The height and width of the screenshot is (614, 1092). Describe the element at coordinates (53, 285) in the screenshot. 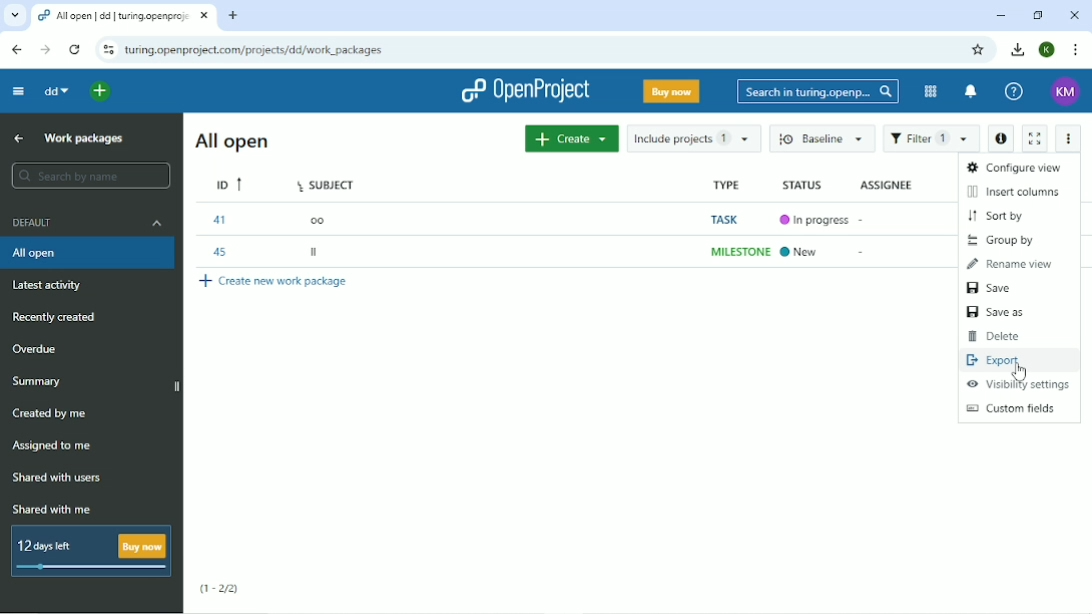

I see `Latest activity` at that location.